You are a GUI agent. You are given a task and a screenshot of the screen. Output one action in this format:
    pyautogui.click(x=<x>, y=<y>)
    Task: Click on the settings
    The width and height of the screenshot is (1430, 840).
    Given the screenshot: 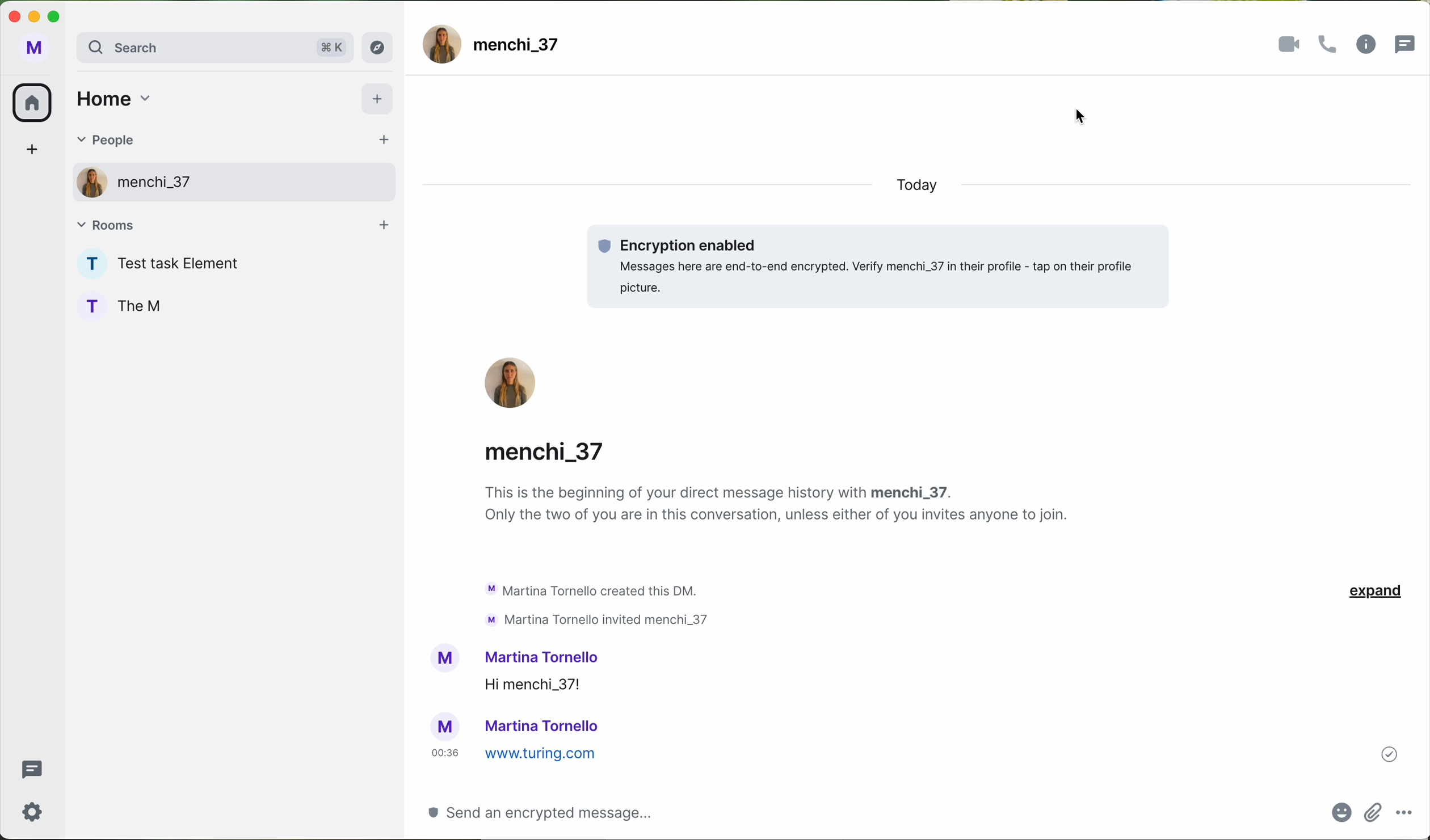 What is the action you would take?
    pyautogui.click(x=33, y=811)
    